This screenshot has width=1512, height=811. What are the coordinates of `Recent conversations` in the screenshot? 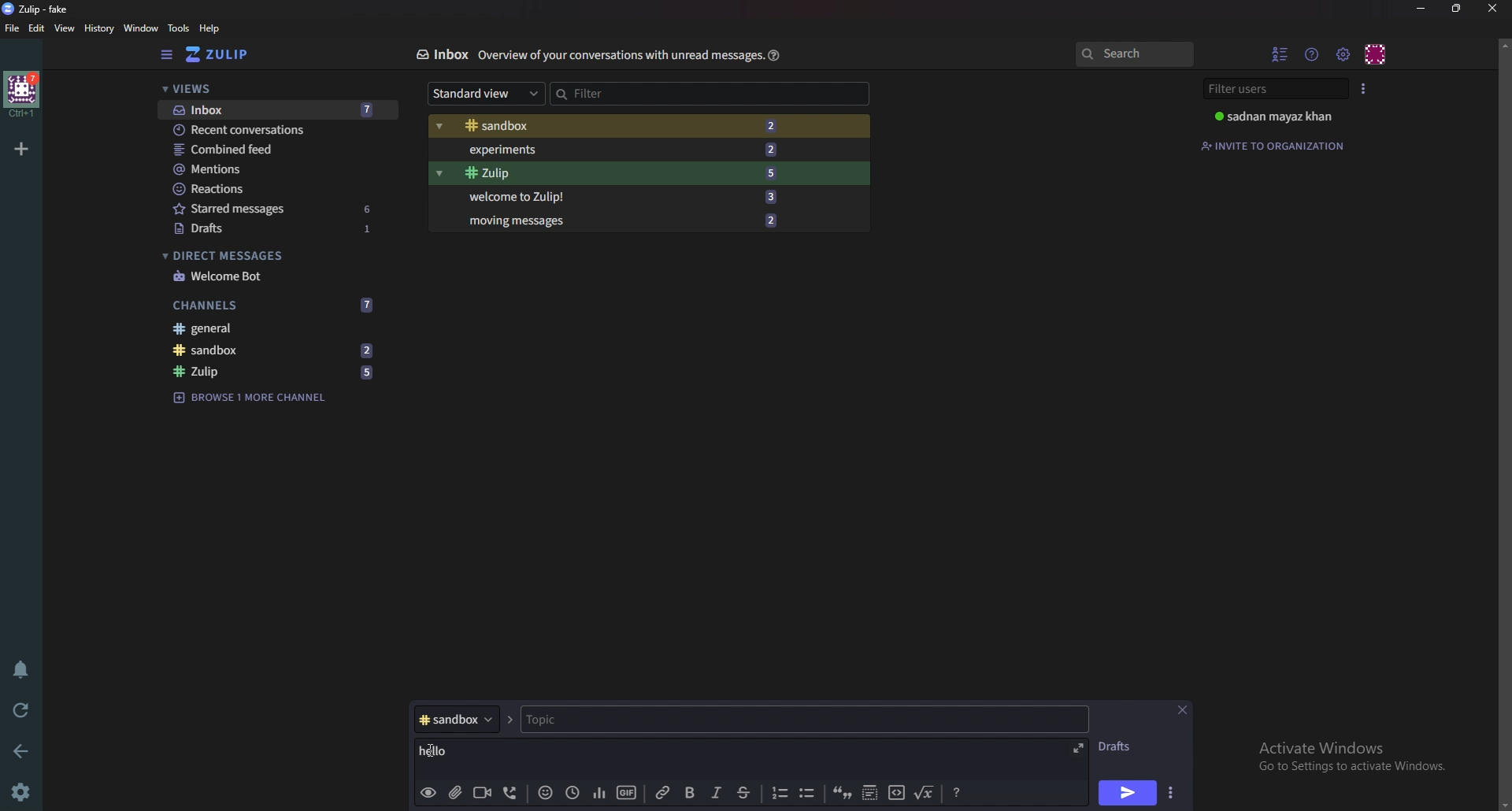 It's located at (257, 131).